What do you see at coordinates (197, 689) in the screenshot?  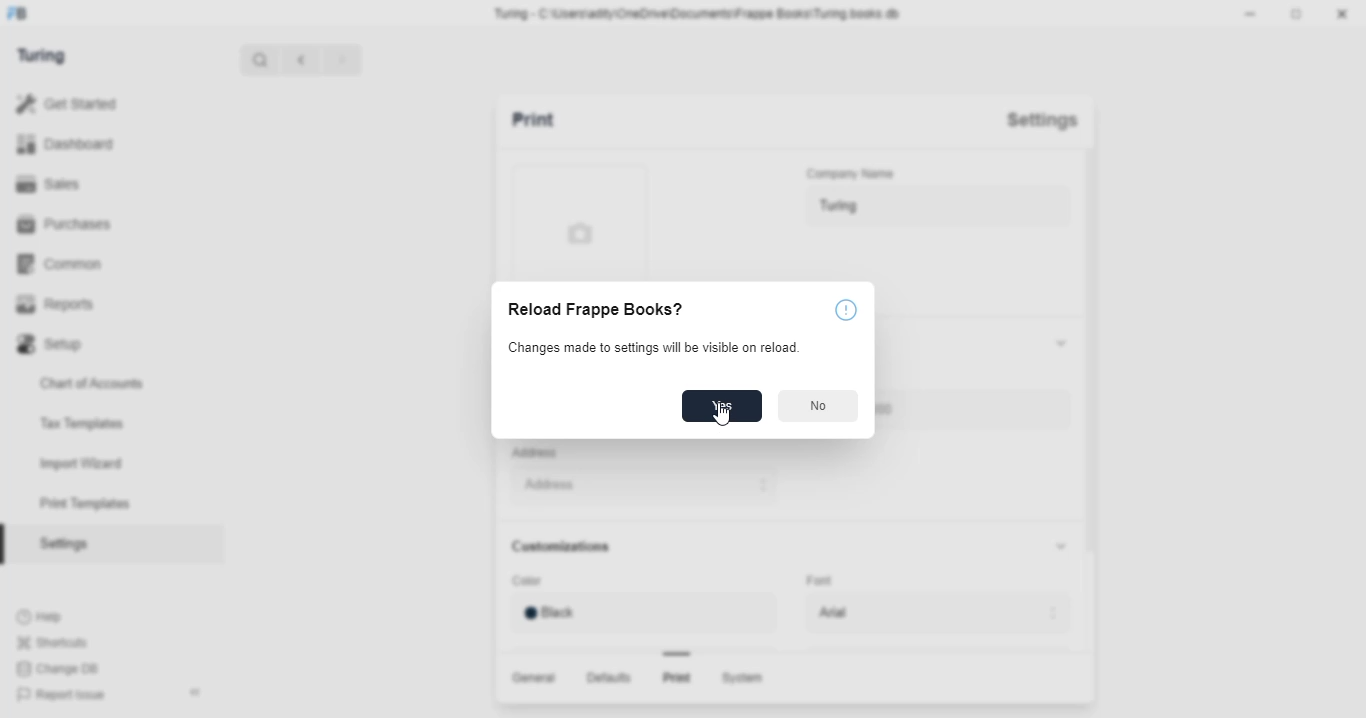 I see `collapse` at bounding box center [197, 689].